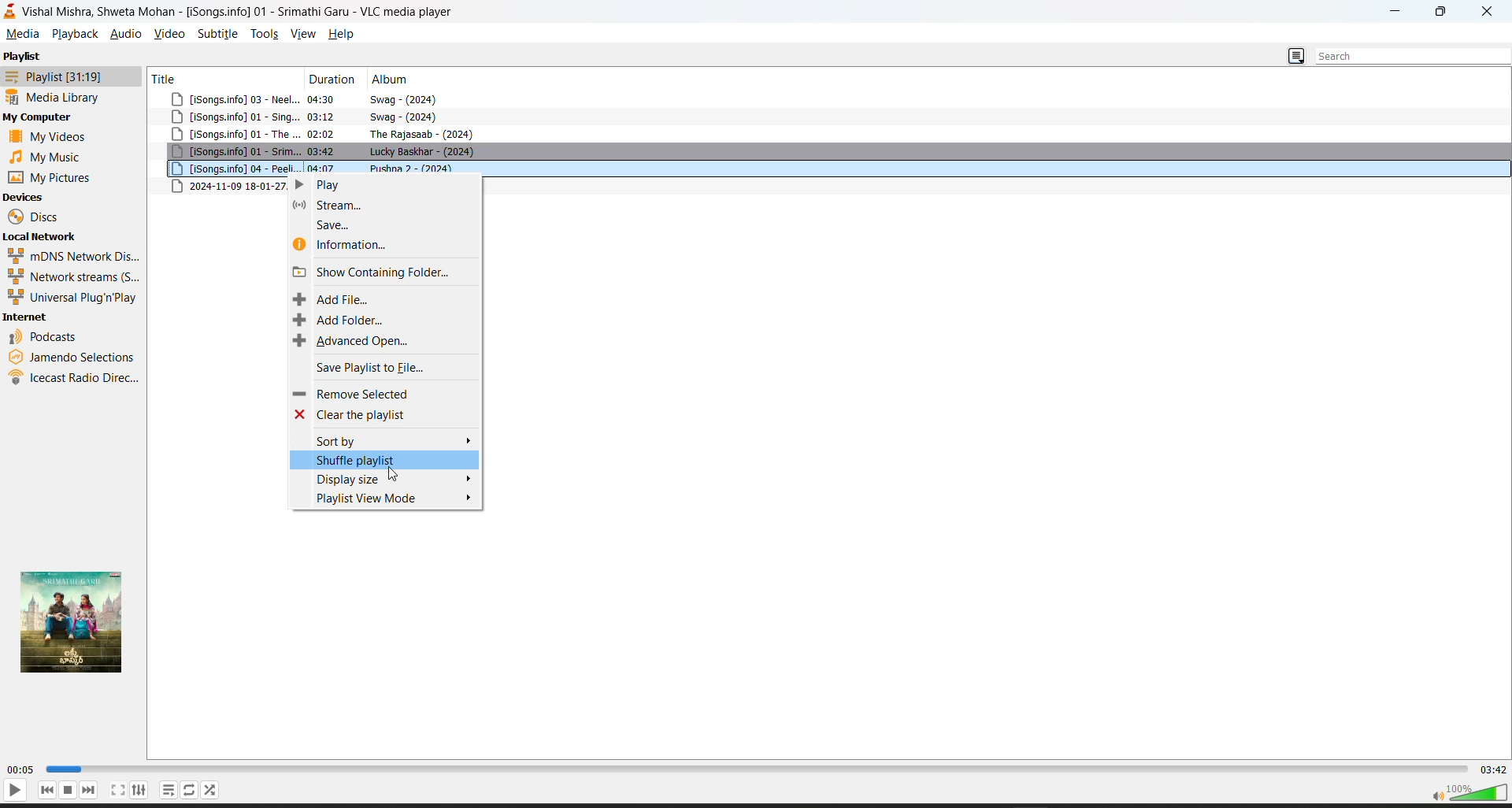  Describe the element at coordinates (761, 770) in the screenshot. I see `track slider` at that location.